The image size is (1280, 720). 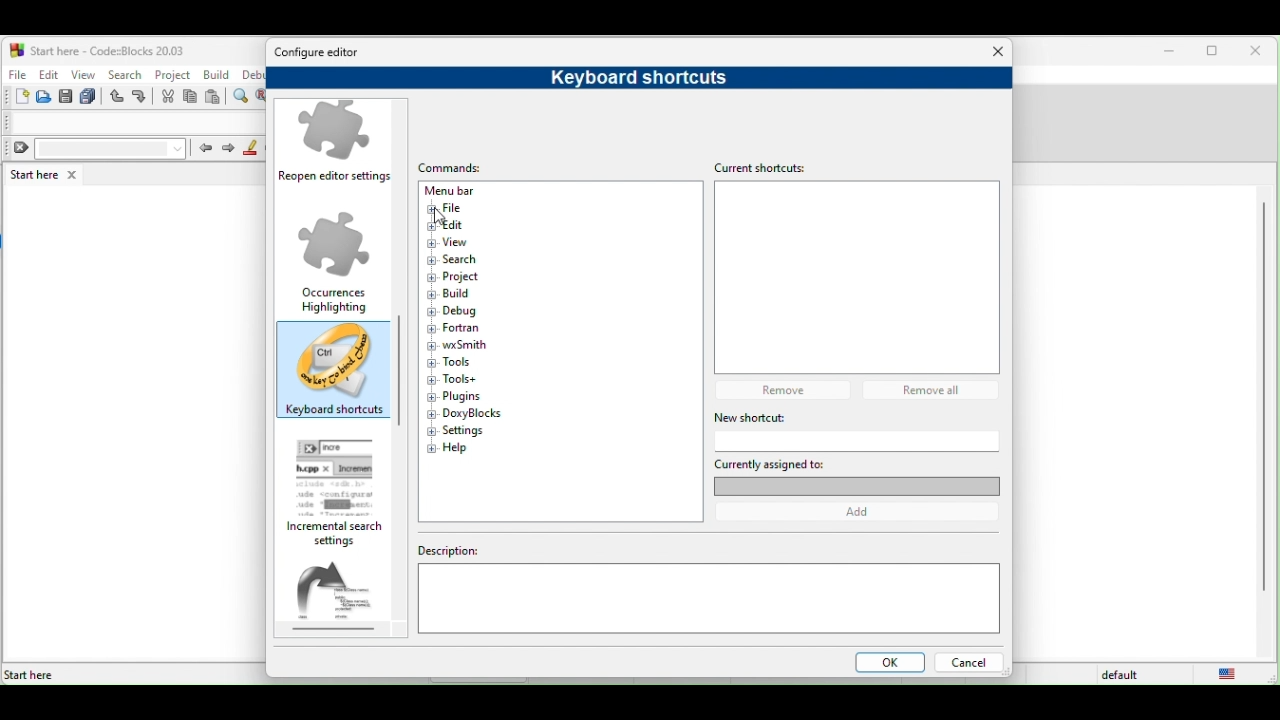 I want to click on incremental search setting, so click(x=341, y=493).